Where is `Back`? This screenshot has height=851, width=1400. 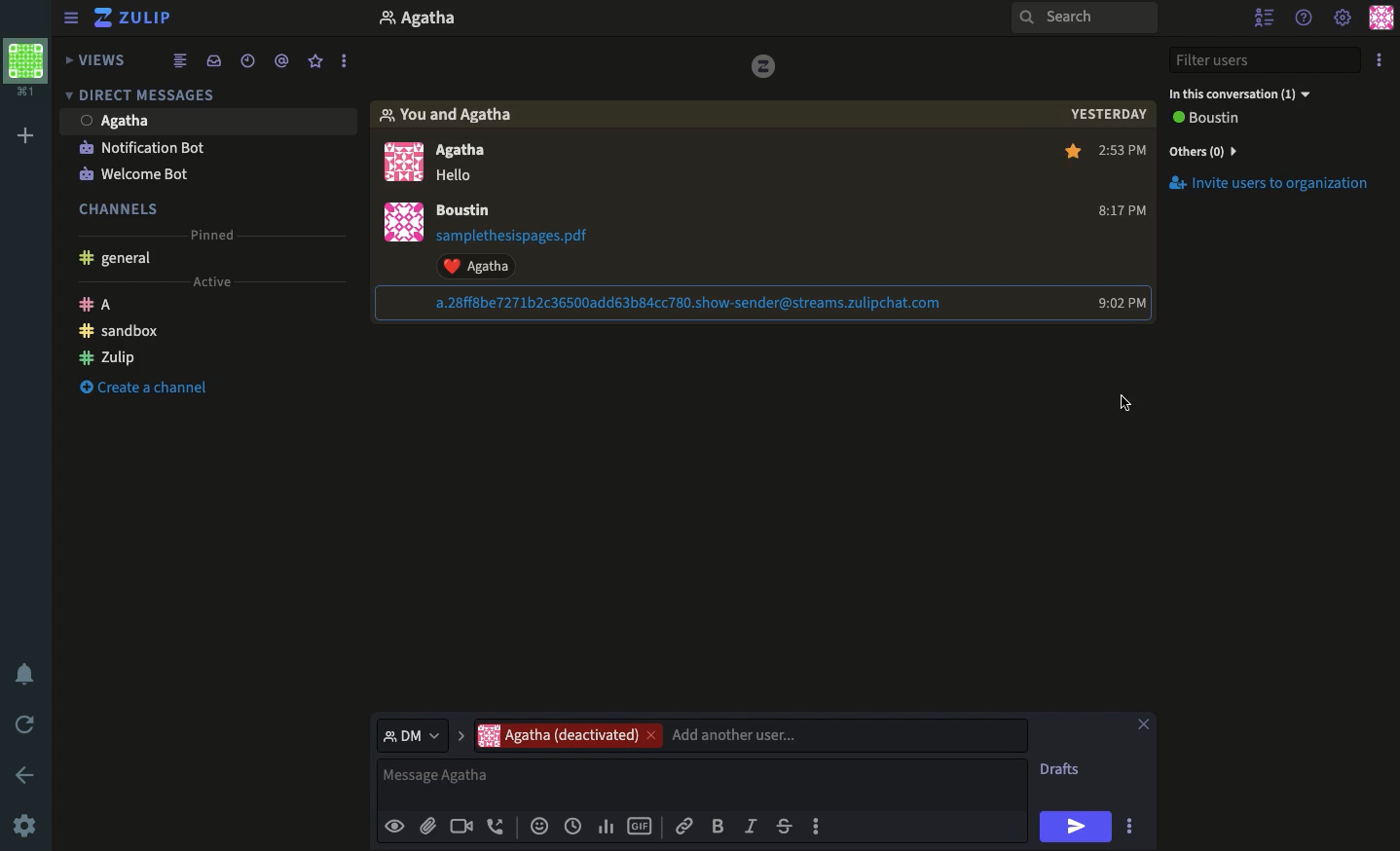 Back is located at coordinates (21, 774).